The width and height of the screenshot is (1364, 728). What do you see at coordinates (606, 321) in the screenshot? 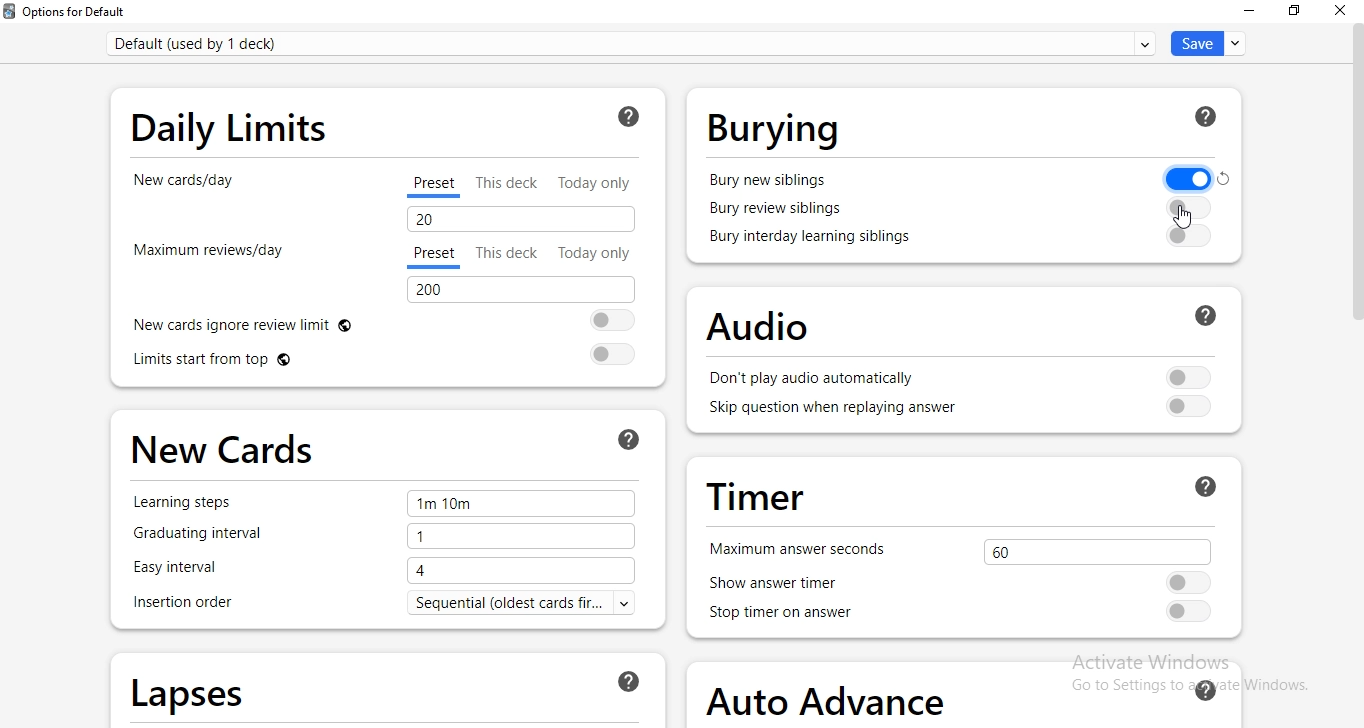
I see `Toggle` at bounding box center [606, 321].